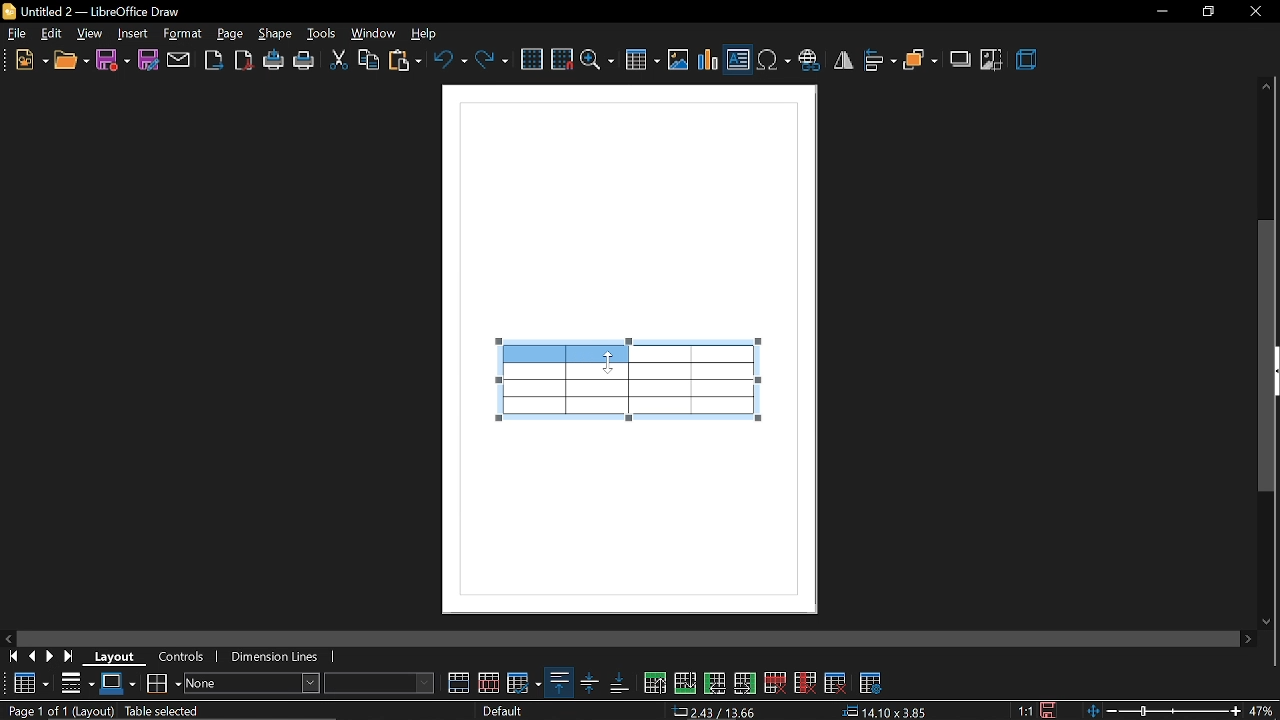  I want to click on 2.43/13.66, so click(718, 712).